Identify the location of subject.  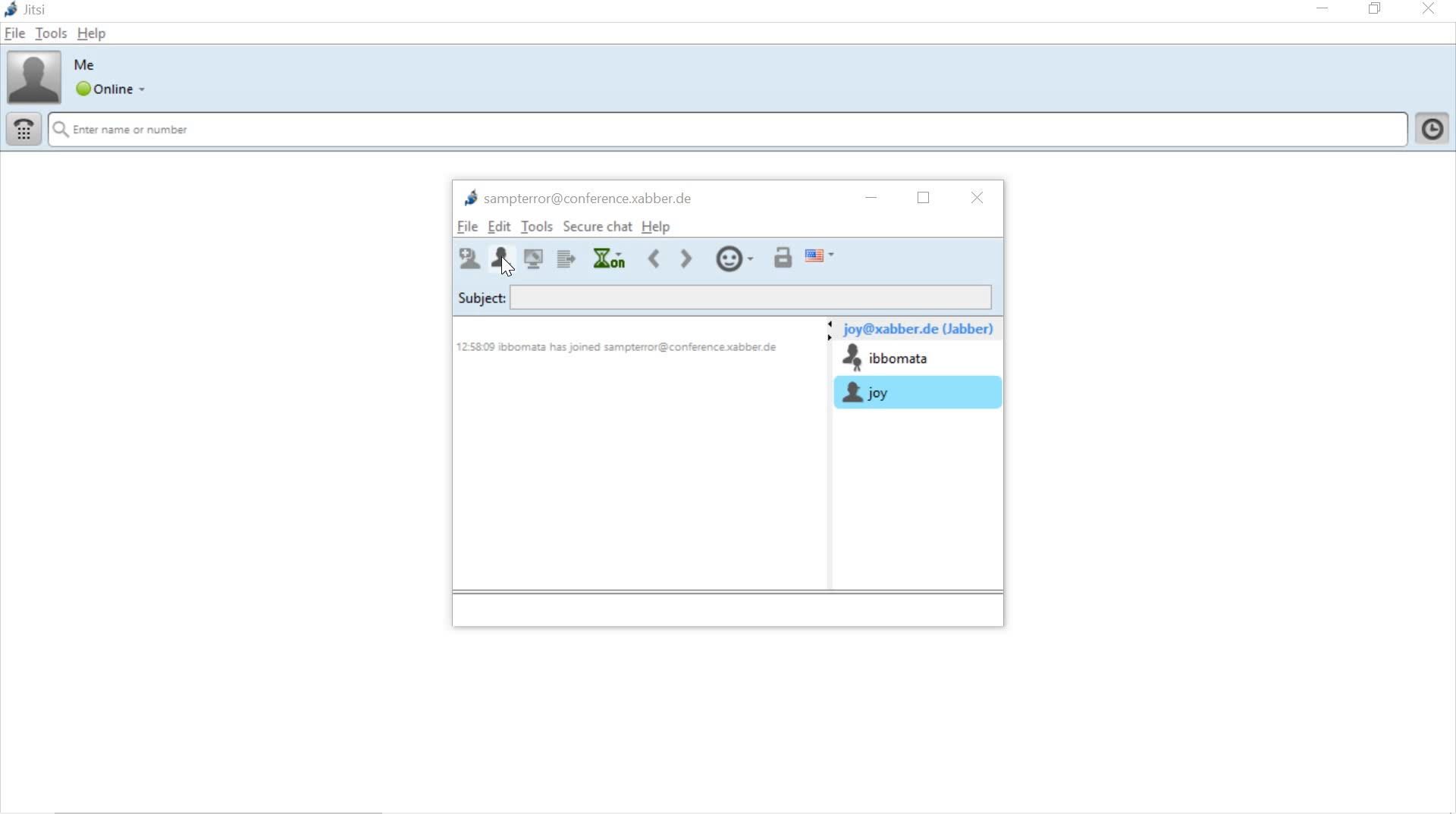
(729, 296).